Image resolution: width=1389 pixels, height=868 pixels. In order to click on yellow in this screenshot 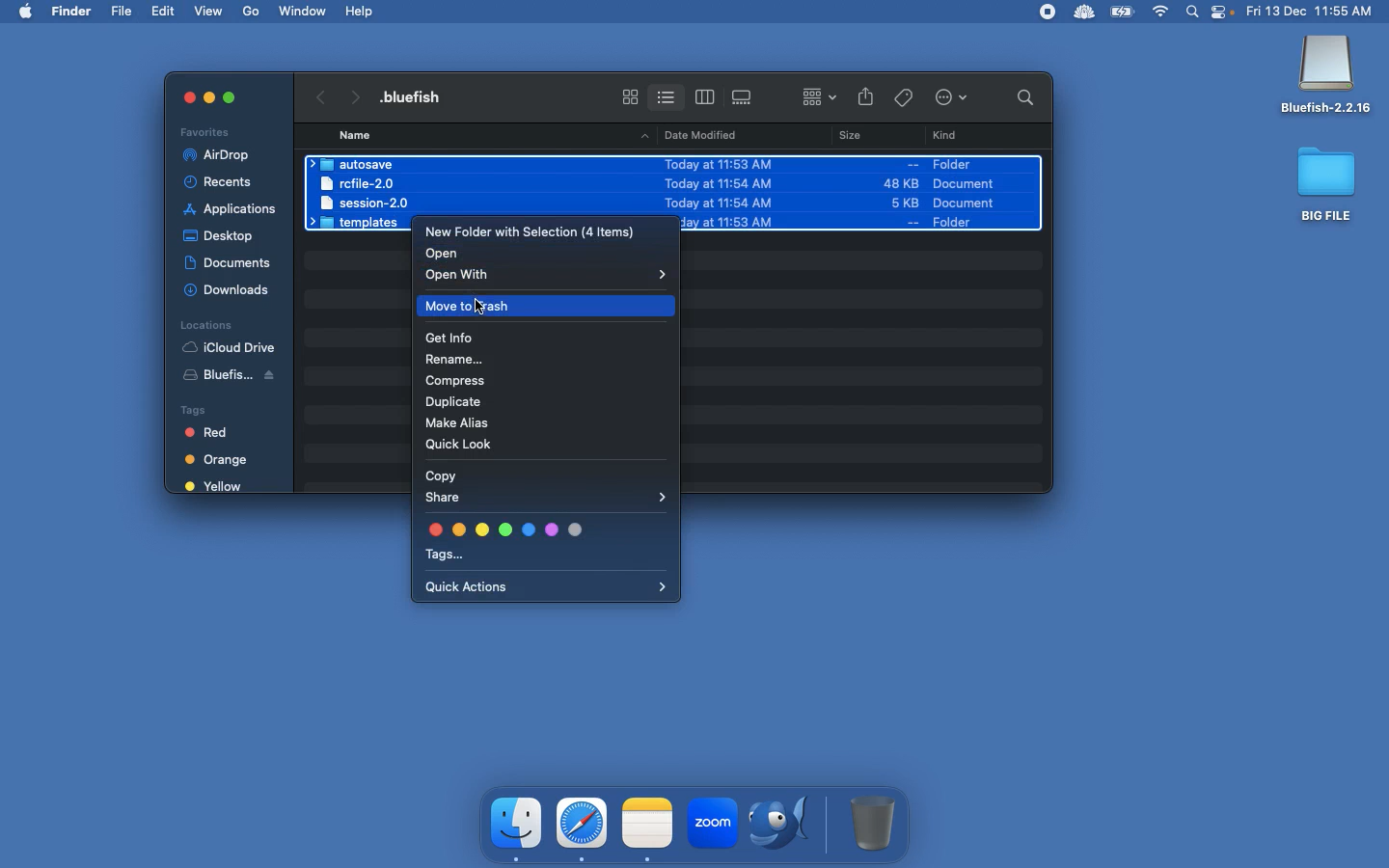, I will do `click(215, 487)`.